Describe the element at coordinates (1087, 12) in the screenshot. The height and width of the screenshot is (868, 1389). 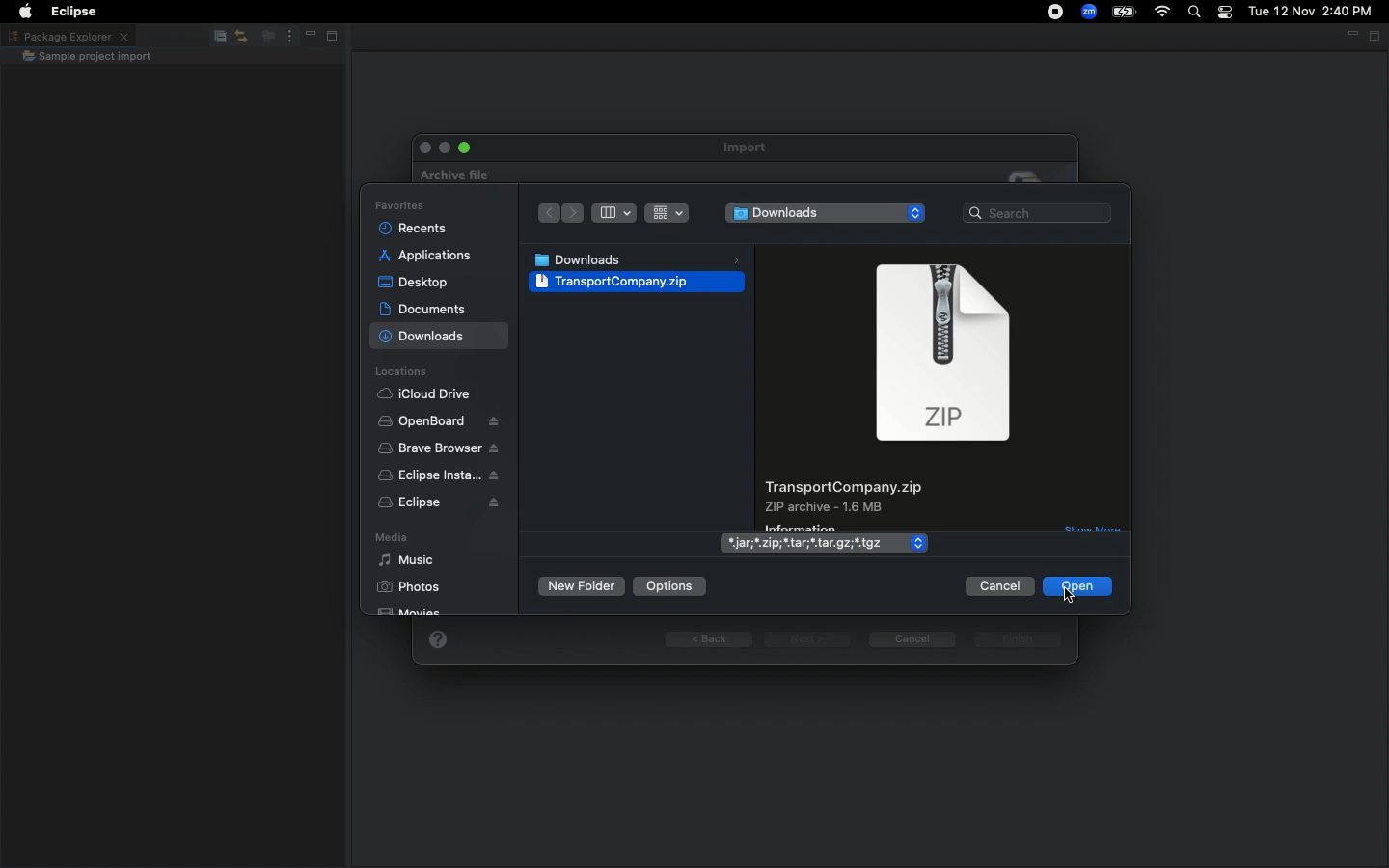
I see `Zoom` at that location.